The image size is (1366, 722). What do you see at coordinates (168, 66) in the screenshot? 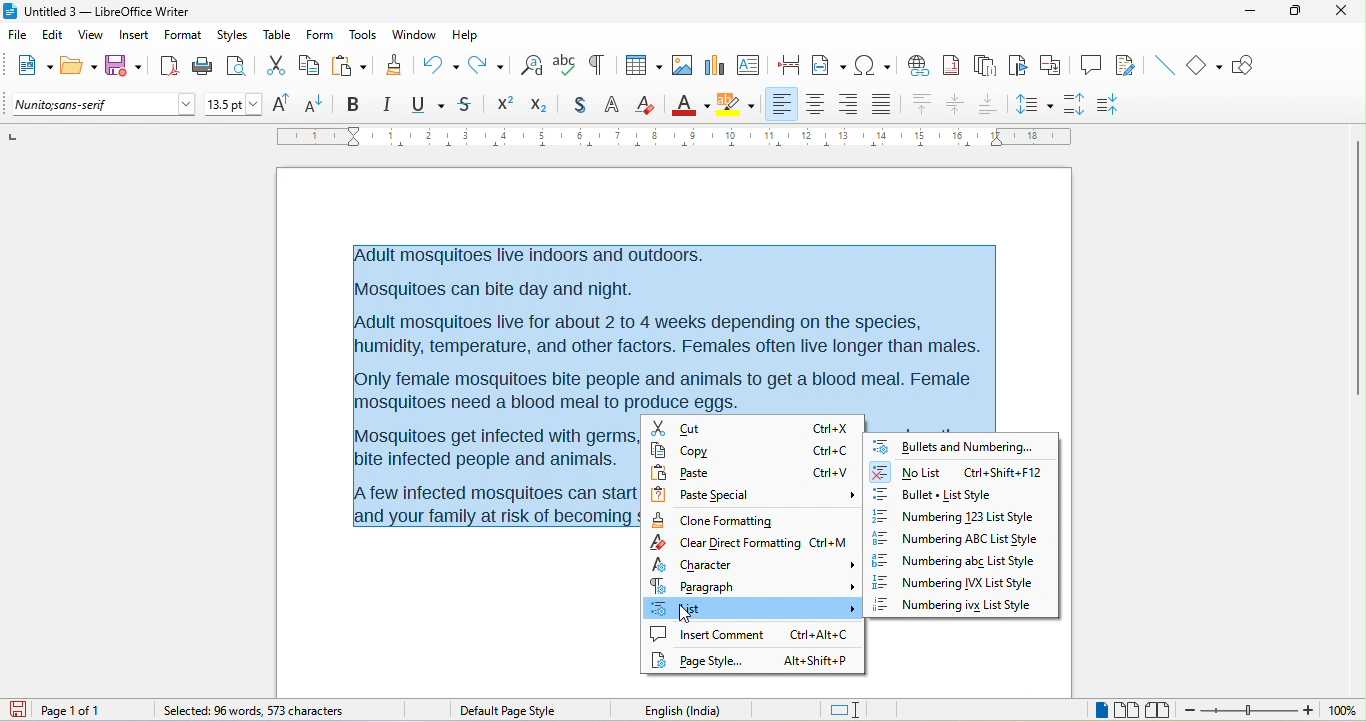
I see `export directly as pdf` at bounding box center [168, 66].